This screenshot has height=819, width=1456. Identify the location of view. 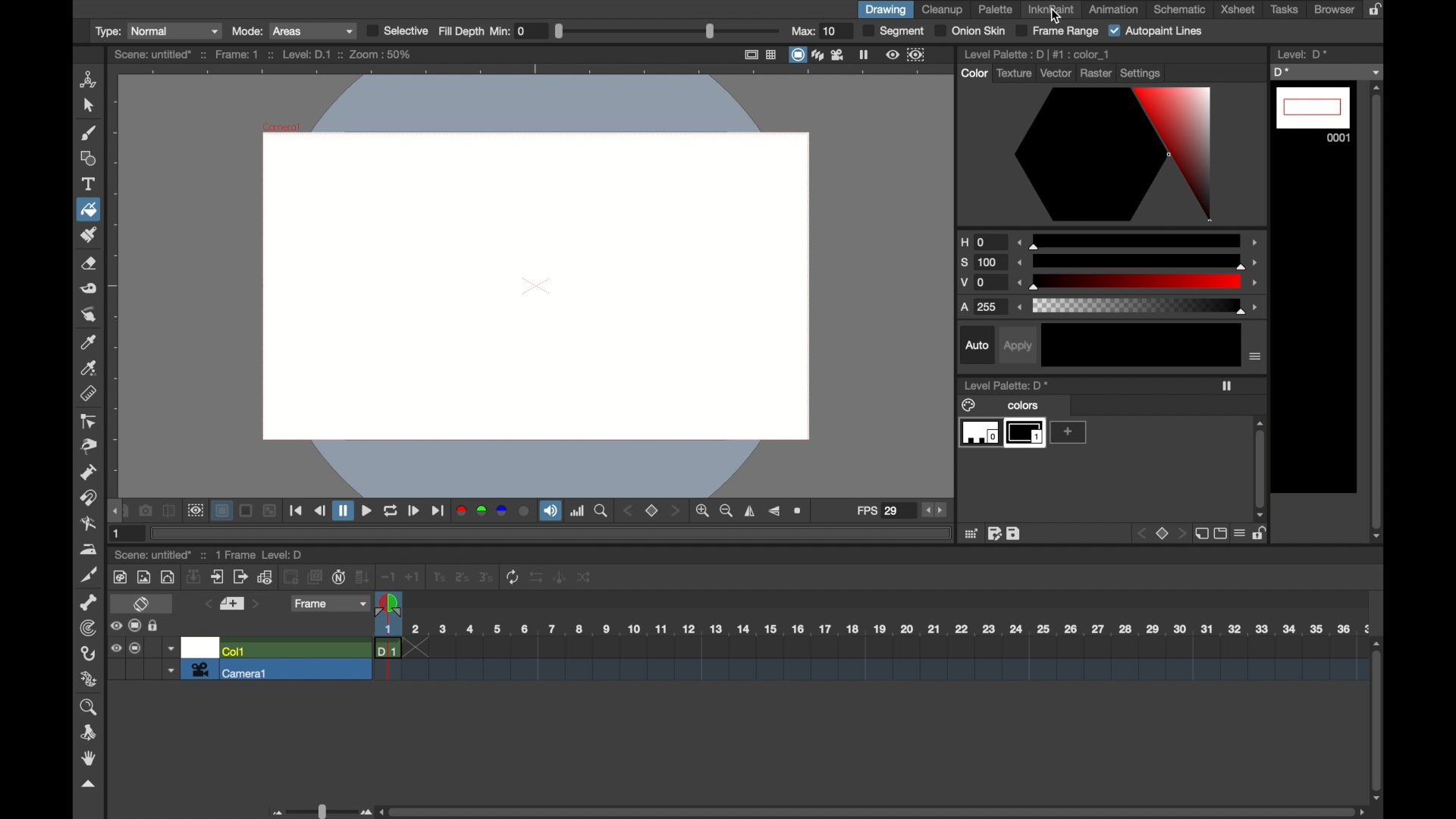
(891, 55).